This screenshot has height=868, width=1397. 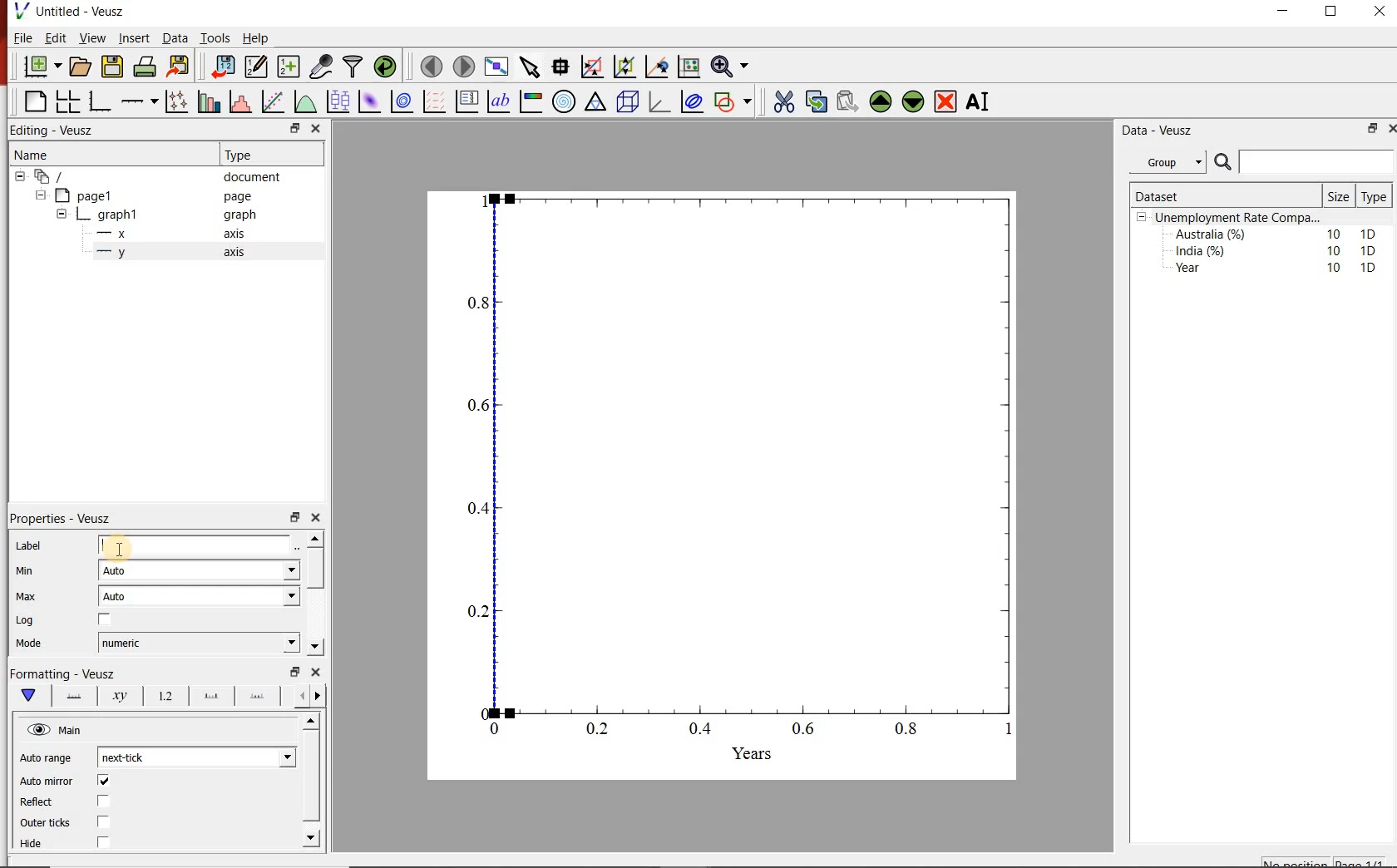 What do you see at coordinates (1287, 15) in the screenshot?
I see `minimise` at bounding box center [1287, 15].